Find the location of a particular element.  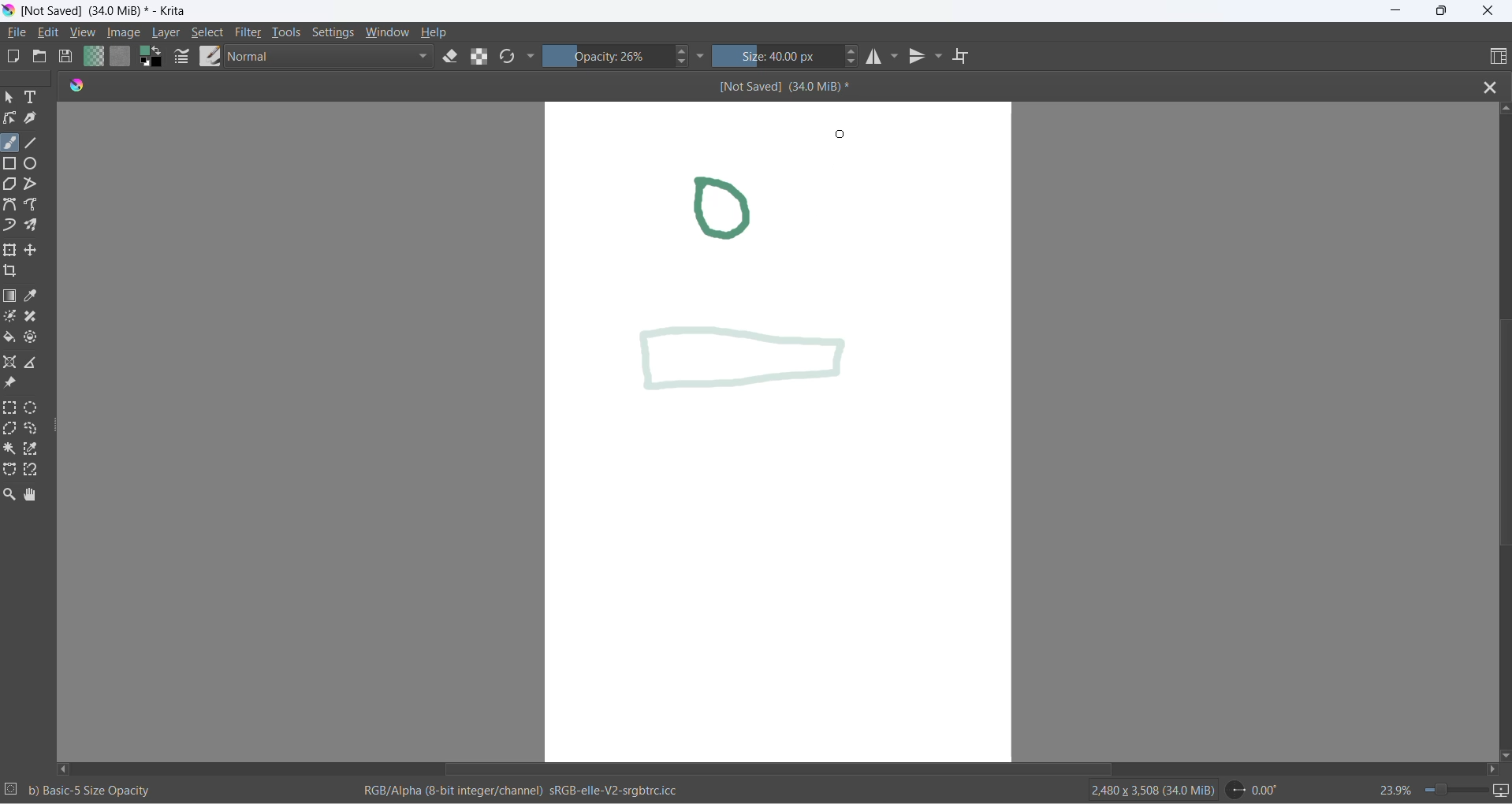

horizontal scroll bar is located at coordinates (784, 771).